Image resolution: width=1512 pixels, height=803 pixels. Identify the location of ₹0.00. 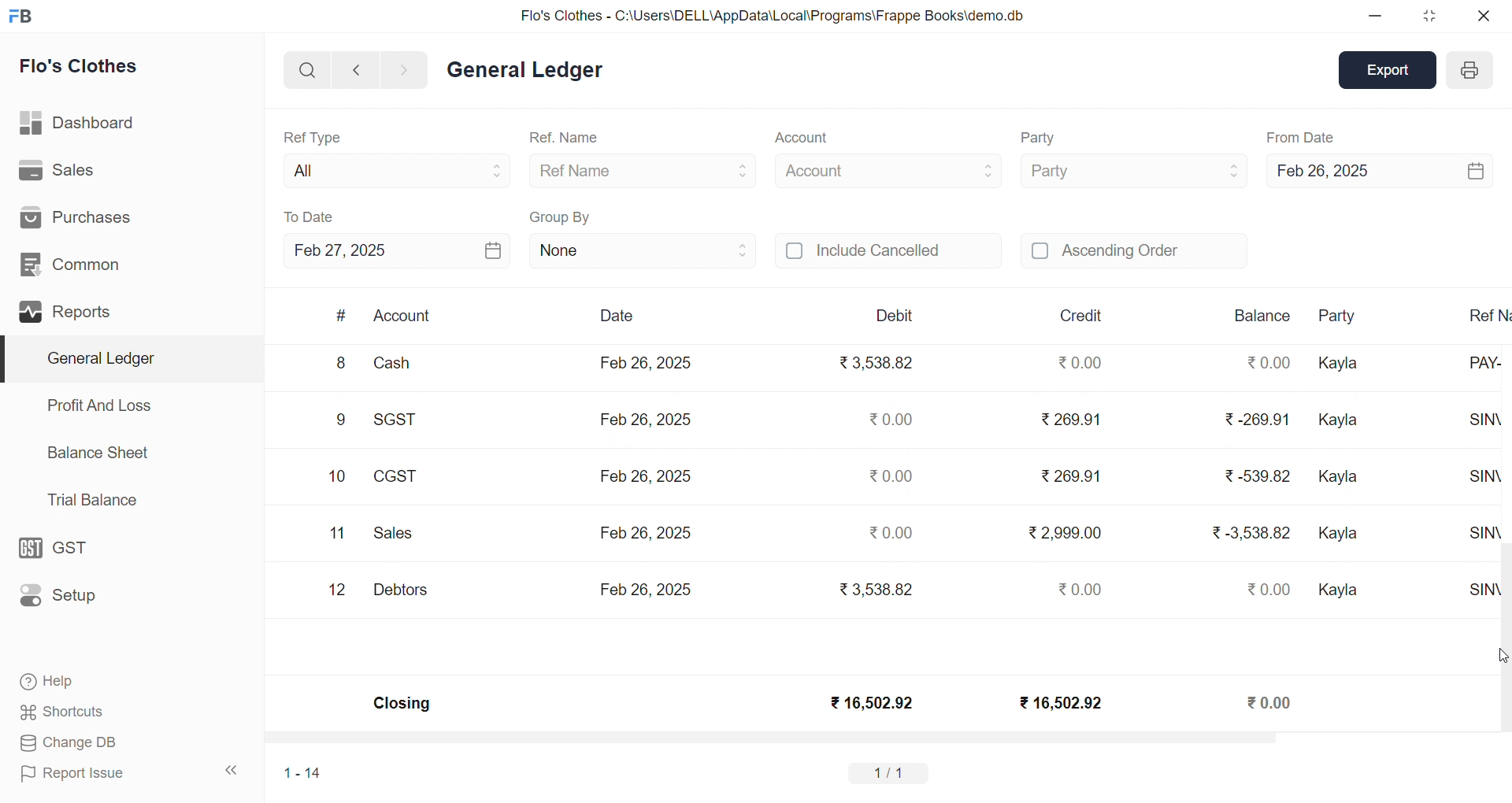
(893, 529).